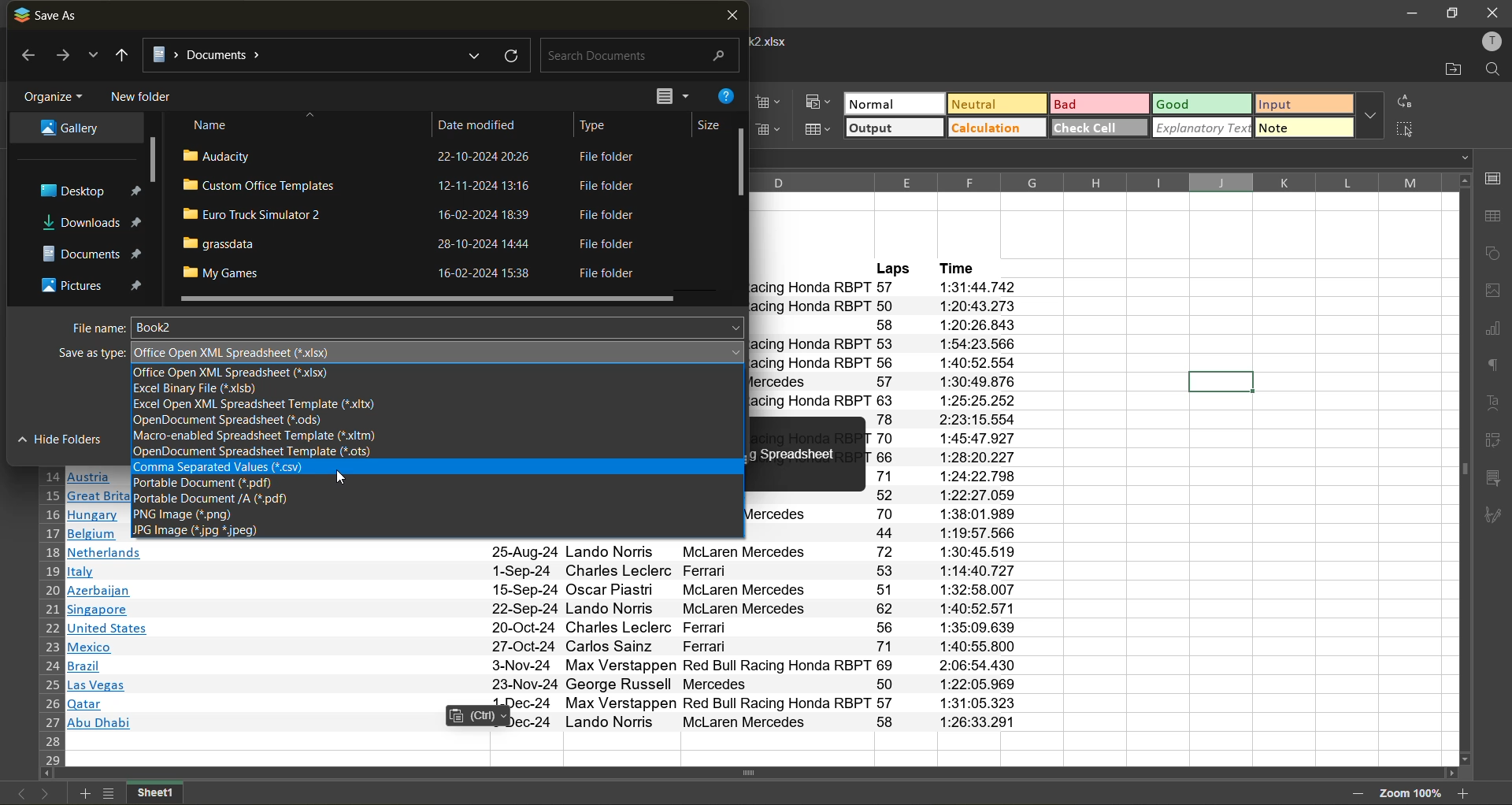 The height and width of the screenshot is (805, 1512). What do you see at coordinates (999, 104) in the screenshot?
I see `neutral` at bounding box center [999, 104].